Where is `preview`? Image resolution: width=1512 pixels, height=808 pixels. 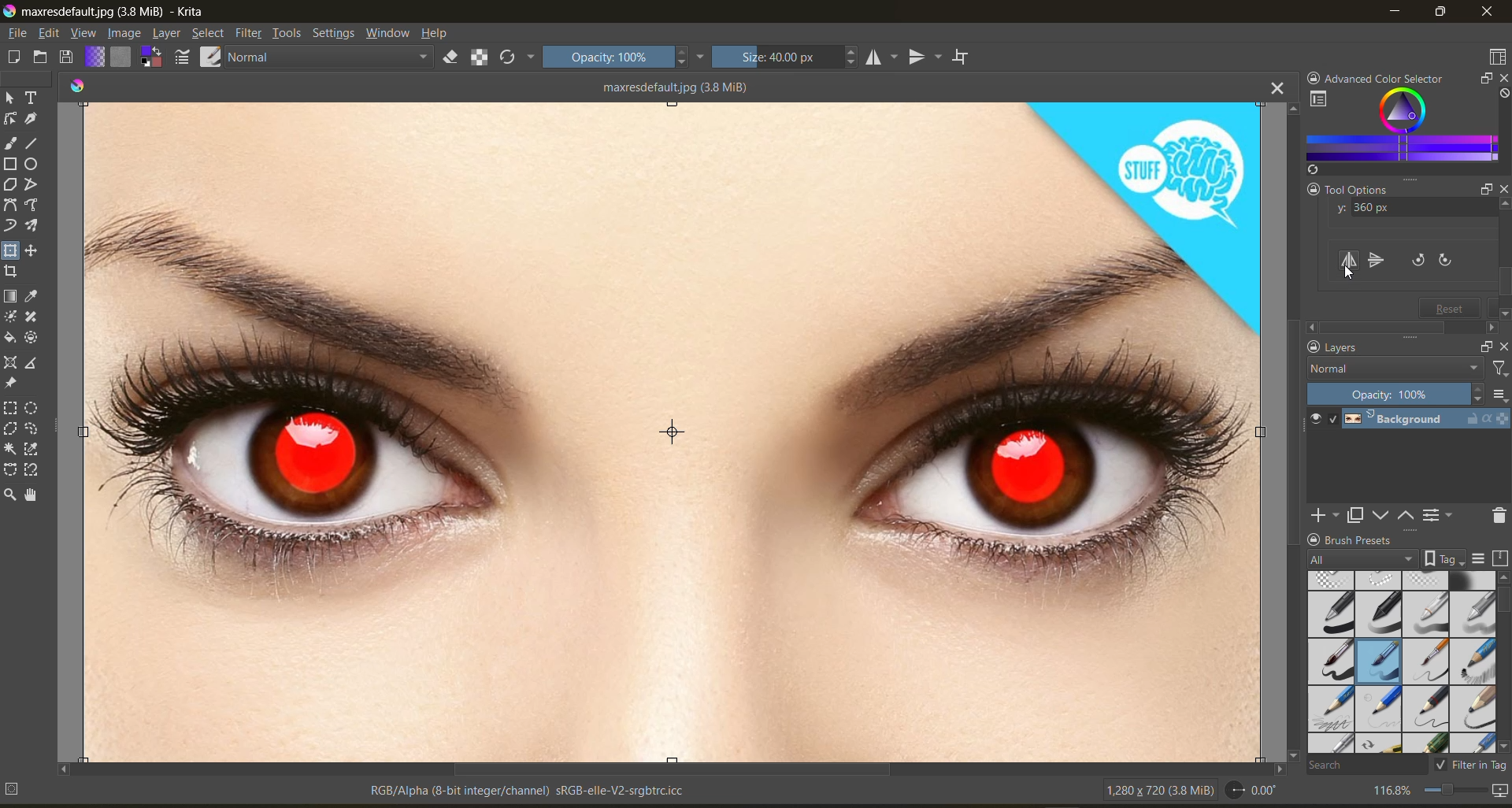 preview is located at coordinates (1317, 421).